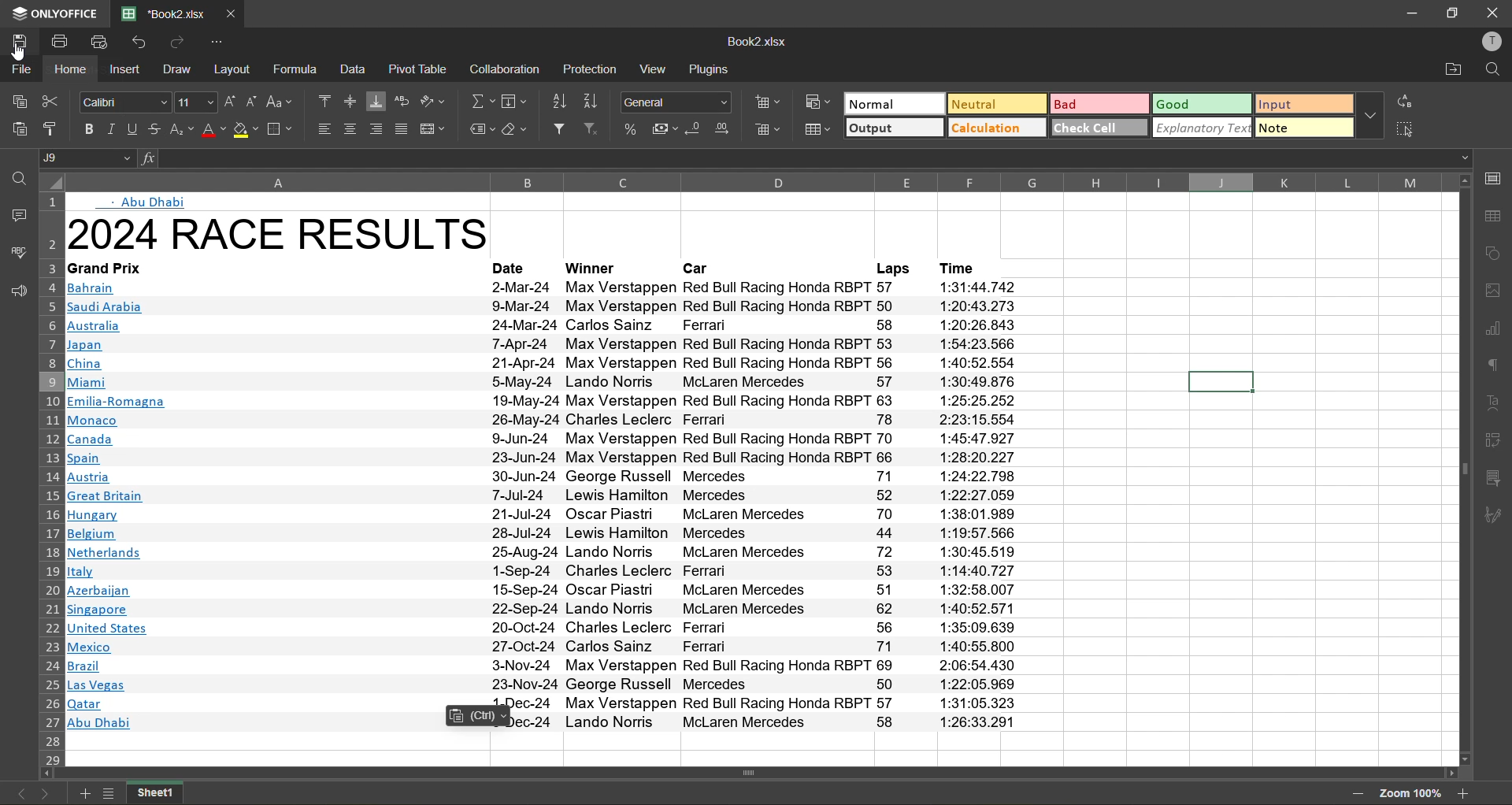  I want to click on delete cells, so click(772, 130).